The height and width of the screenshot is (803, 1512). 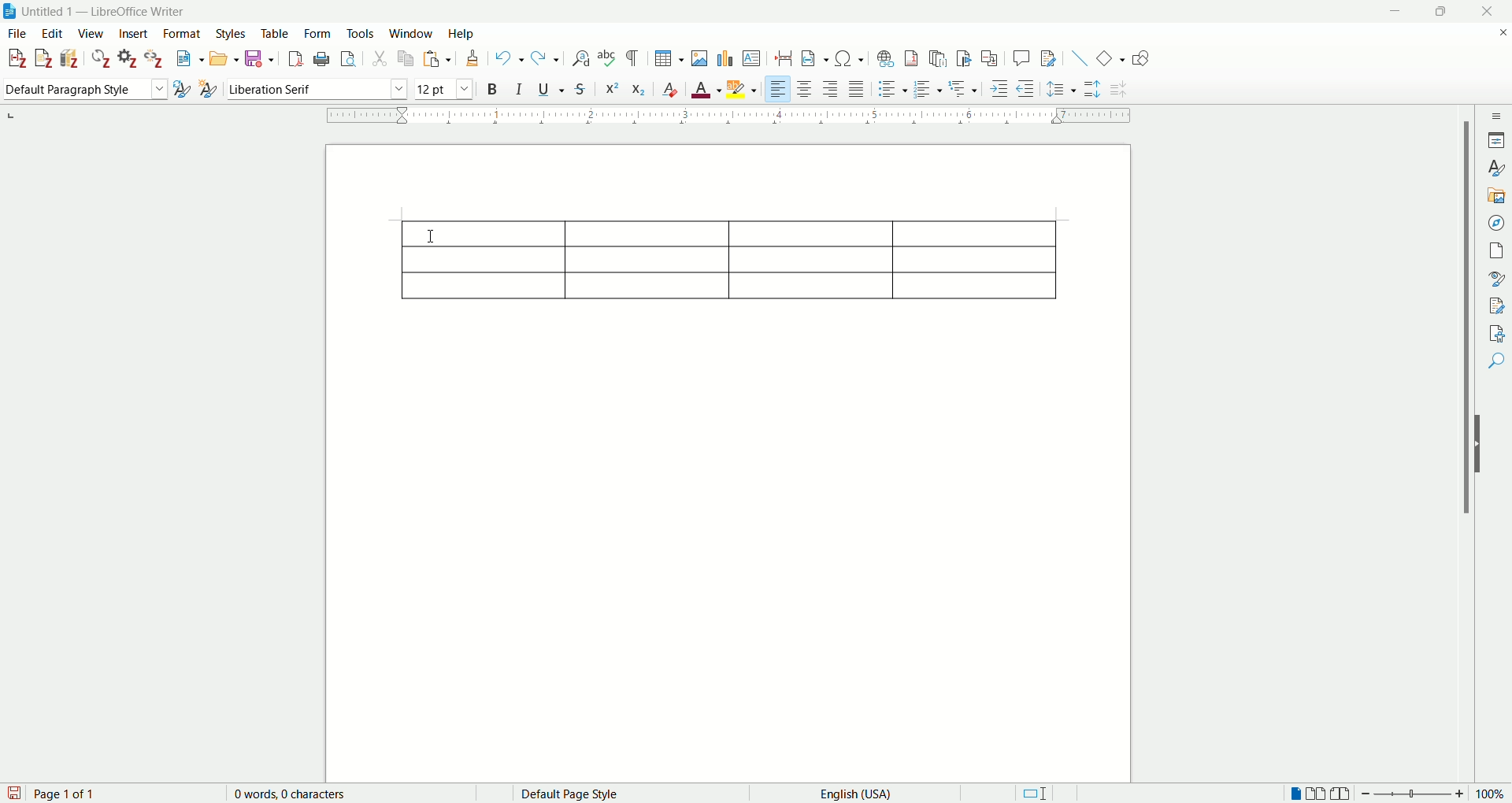 What do you see at coordinates (743, 88) in the screenshot?
I see `highlighting color` at bounding box center [743, 88].